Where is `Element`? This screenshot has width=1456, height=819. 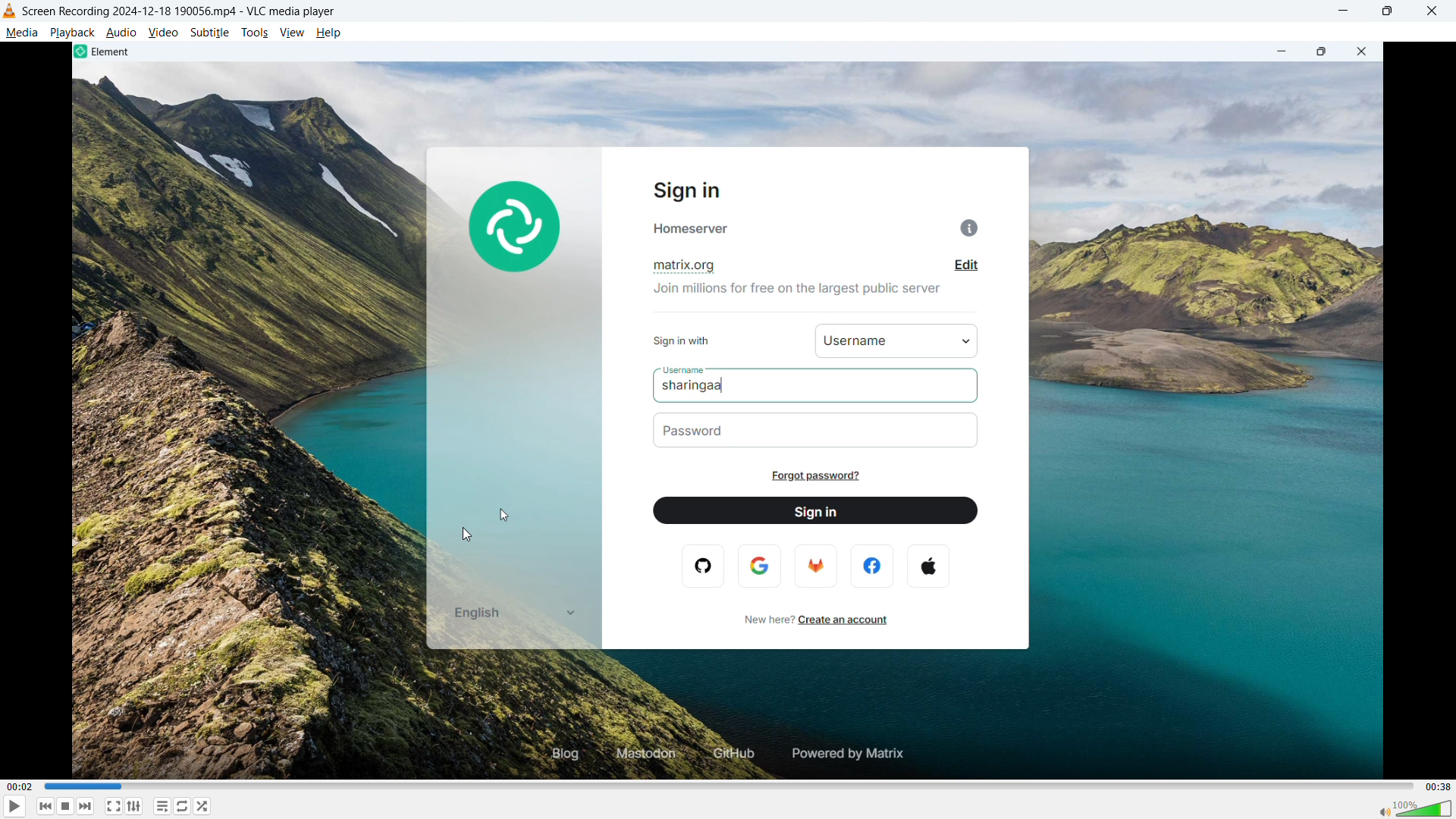
Element is located at coordinates (105, 52).